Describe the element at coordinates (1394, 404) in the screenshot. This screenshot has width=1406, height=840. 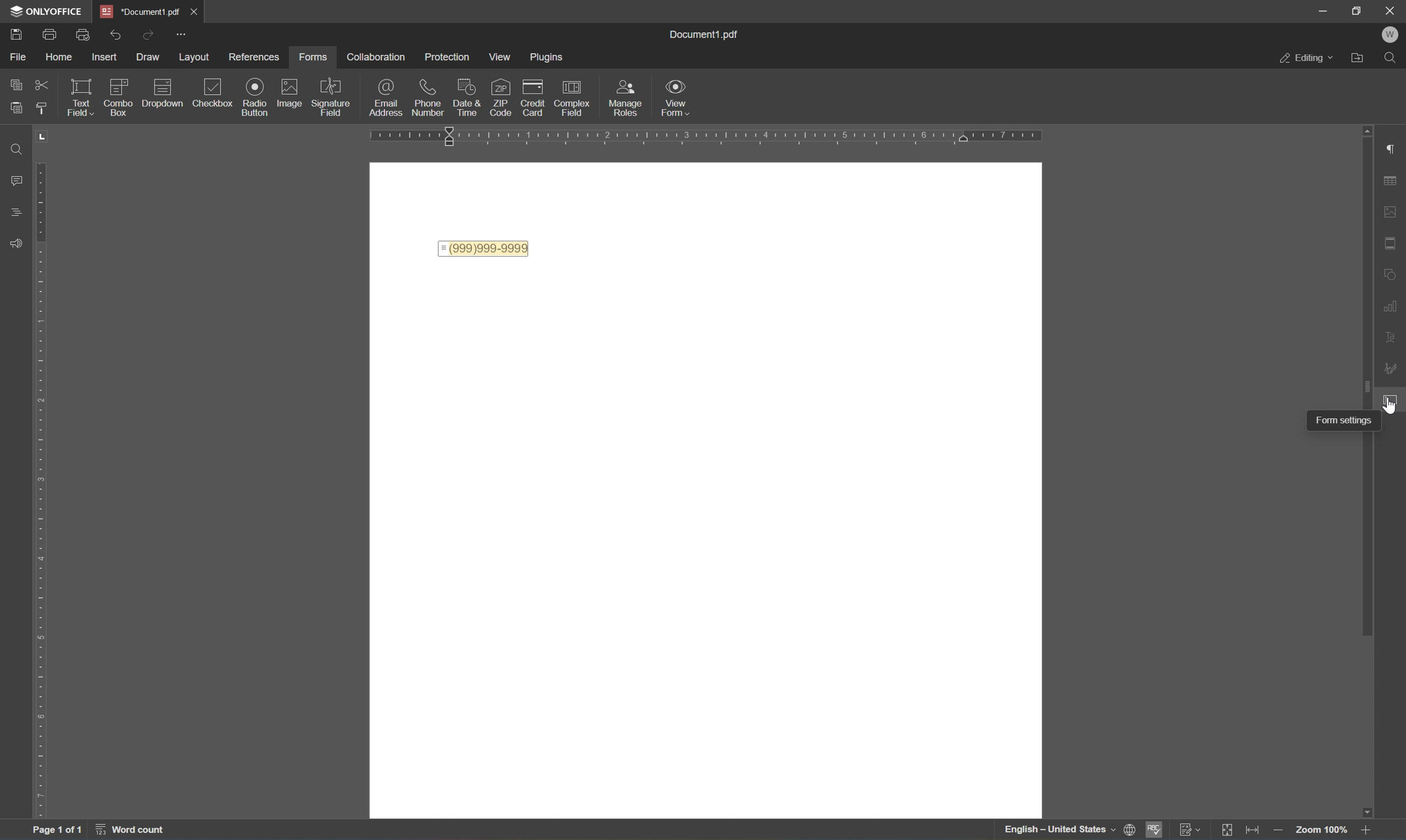
I see `cursor` at that location.